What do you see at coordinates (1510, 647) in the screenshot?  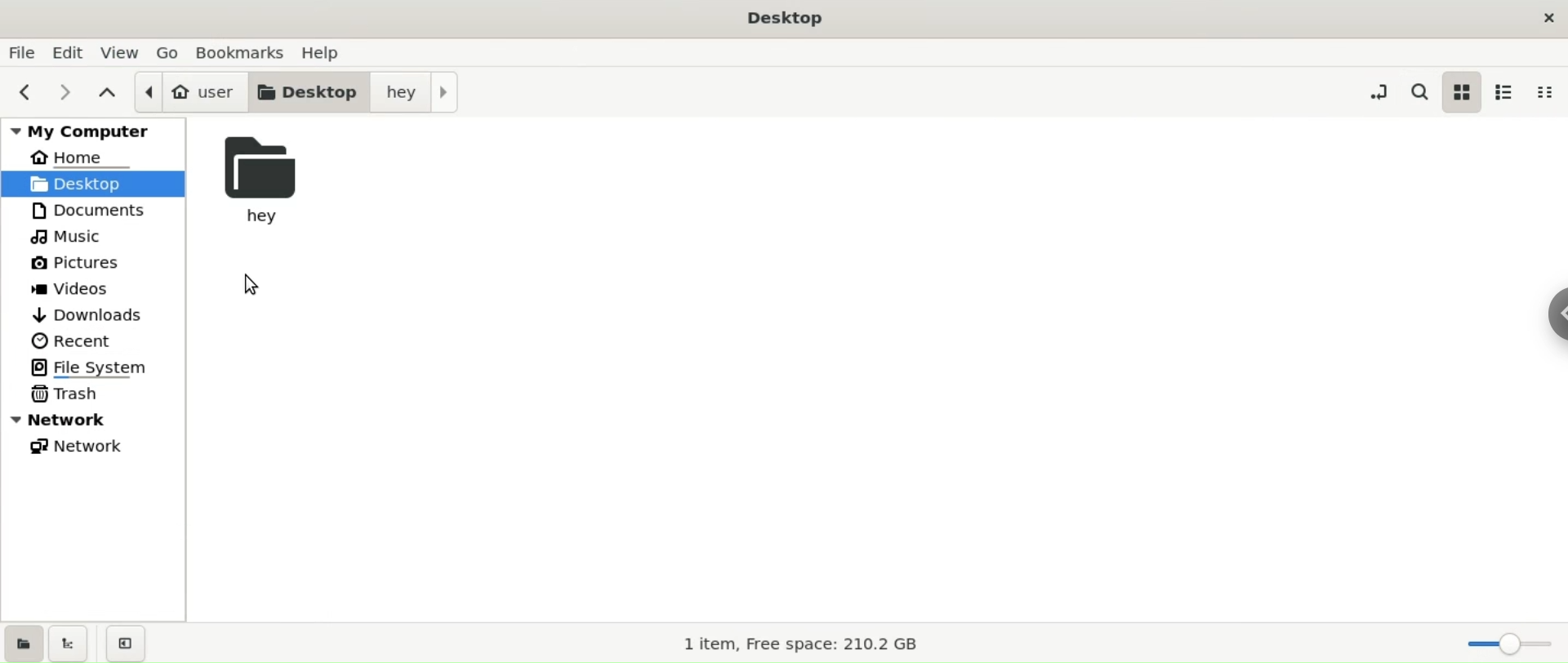 I see `zoom` at bounding box center [1510, 647].